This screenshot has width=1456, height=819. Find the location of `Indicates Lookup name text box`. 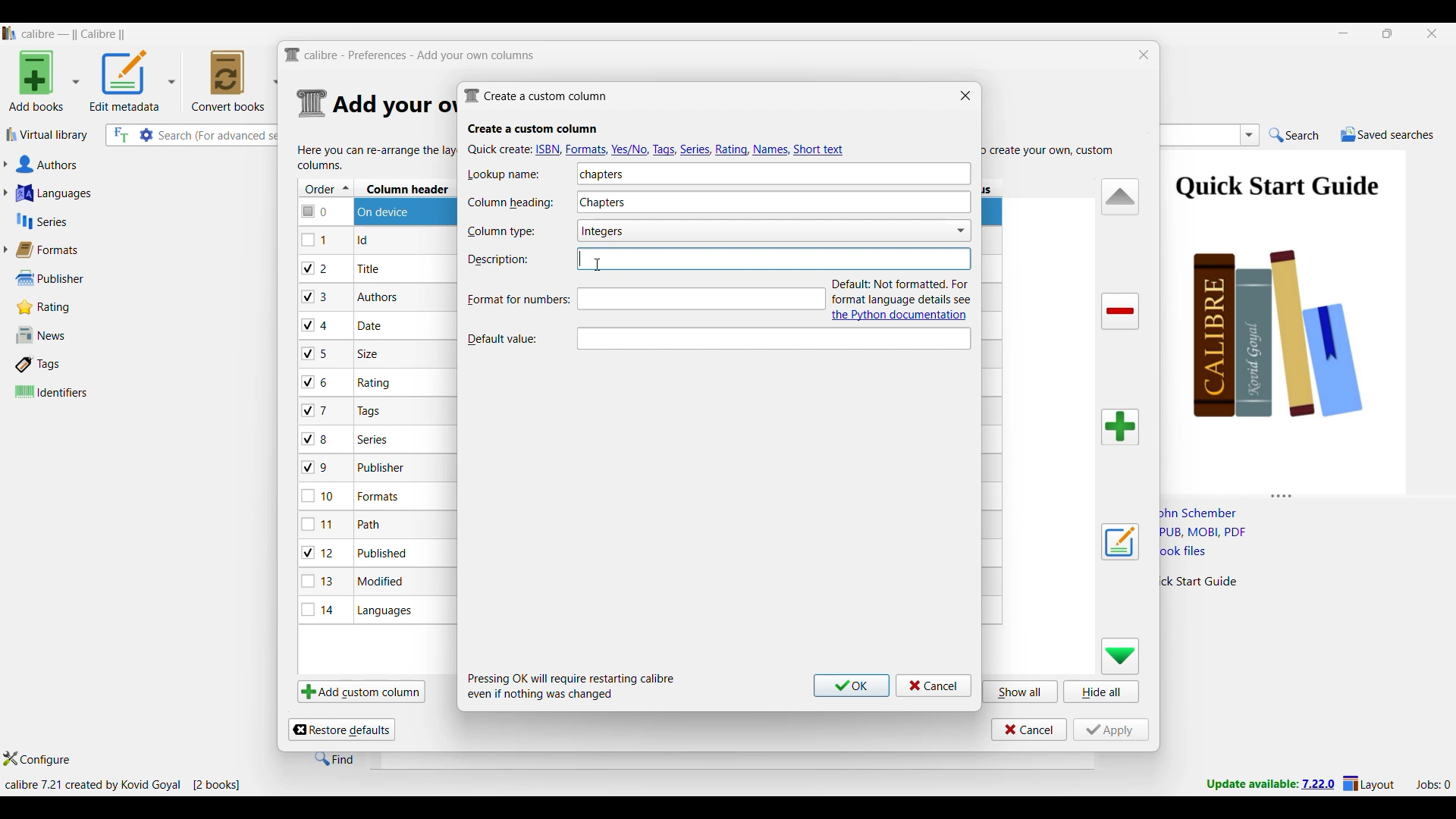

Indicates Lookup name text box is located at coordinates (509, 174).